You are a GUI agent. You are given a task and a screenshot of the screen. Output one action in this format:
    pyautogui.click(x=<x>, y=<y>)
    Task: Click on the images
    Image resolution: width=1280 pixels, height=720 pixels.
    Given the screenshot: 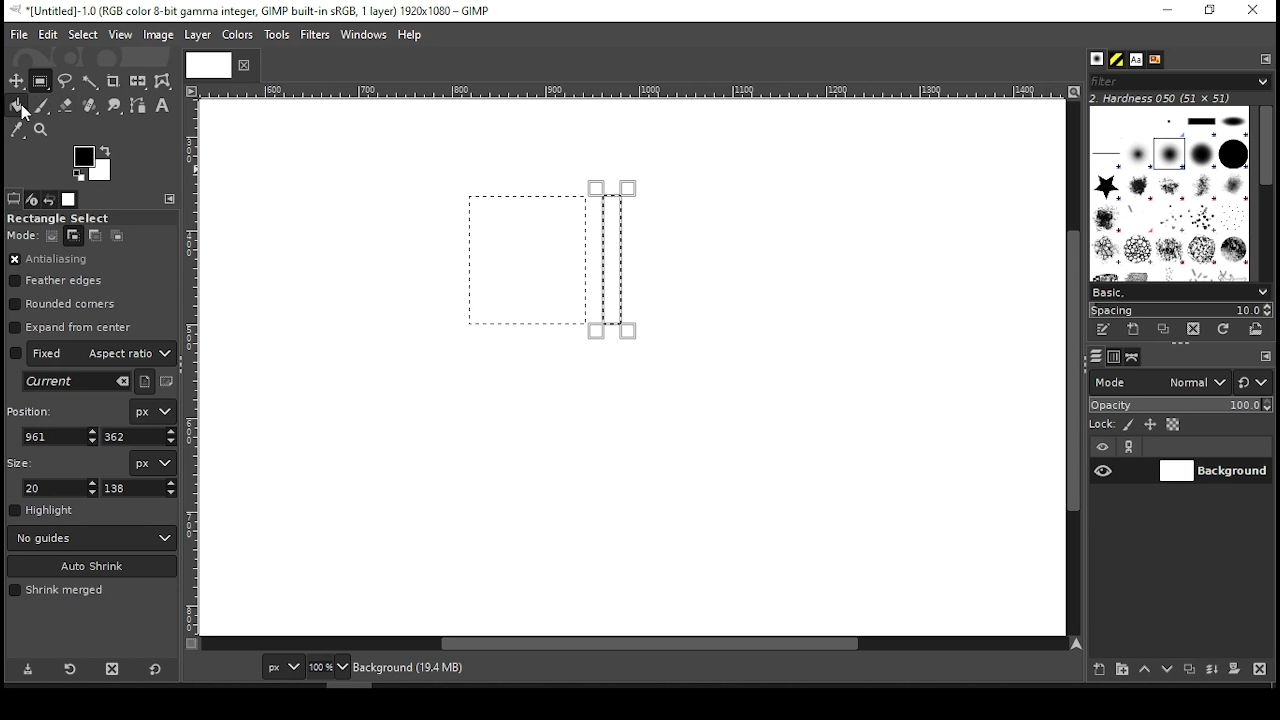 What is the action you would take?
    pyautogui.click(x=70, y=200)
    